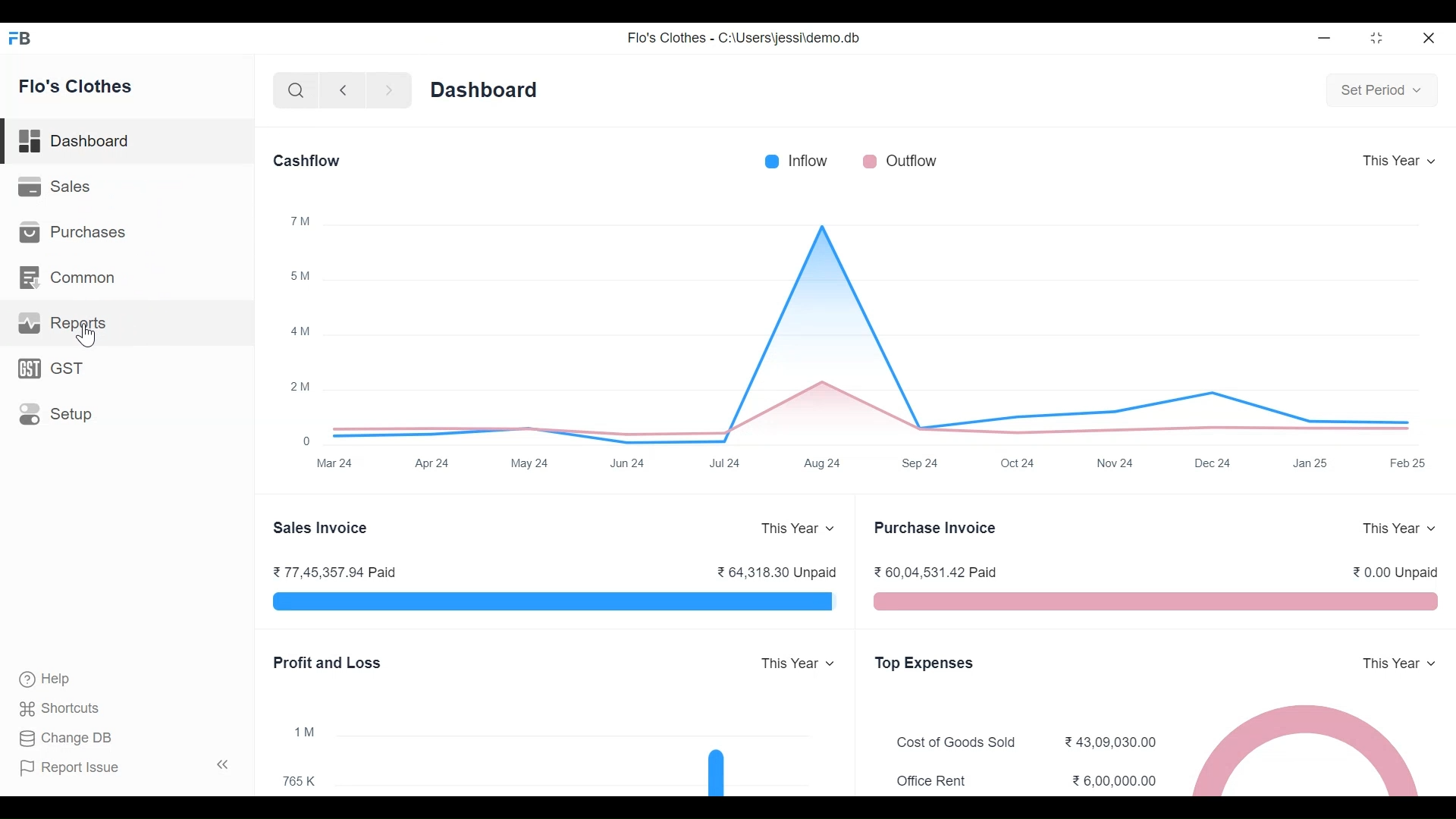 The width and height of the screenshot is (1456, 819). Describe the element at coordinates (1016, 463) in the screenshot. I see `Oct 24` at that location.